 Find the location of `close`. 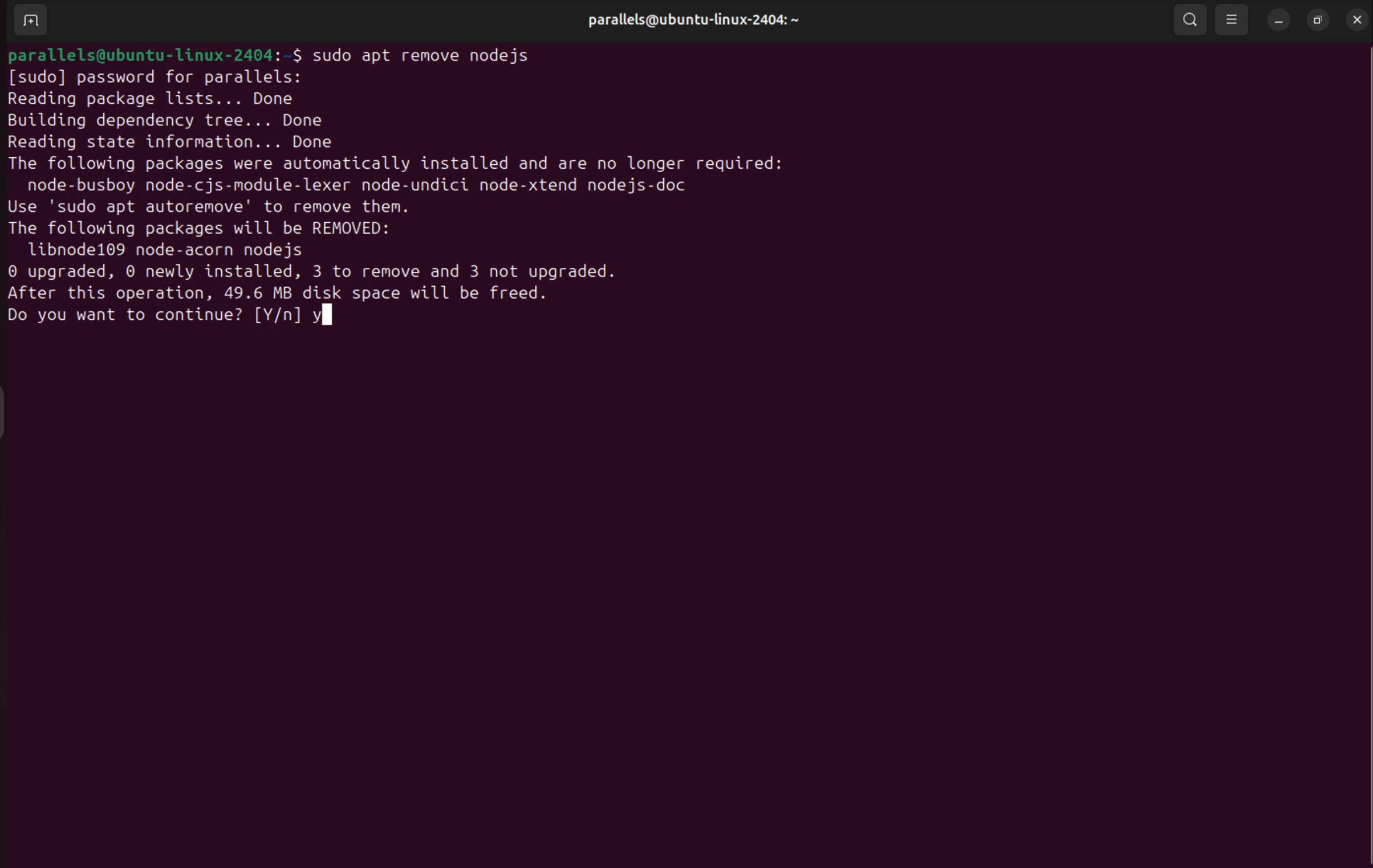

close is located at coordinates (1355, 19).